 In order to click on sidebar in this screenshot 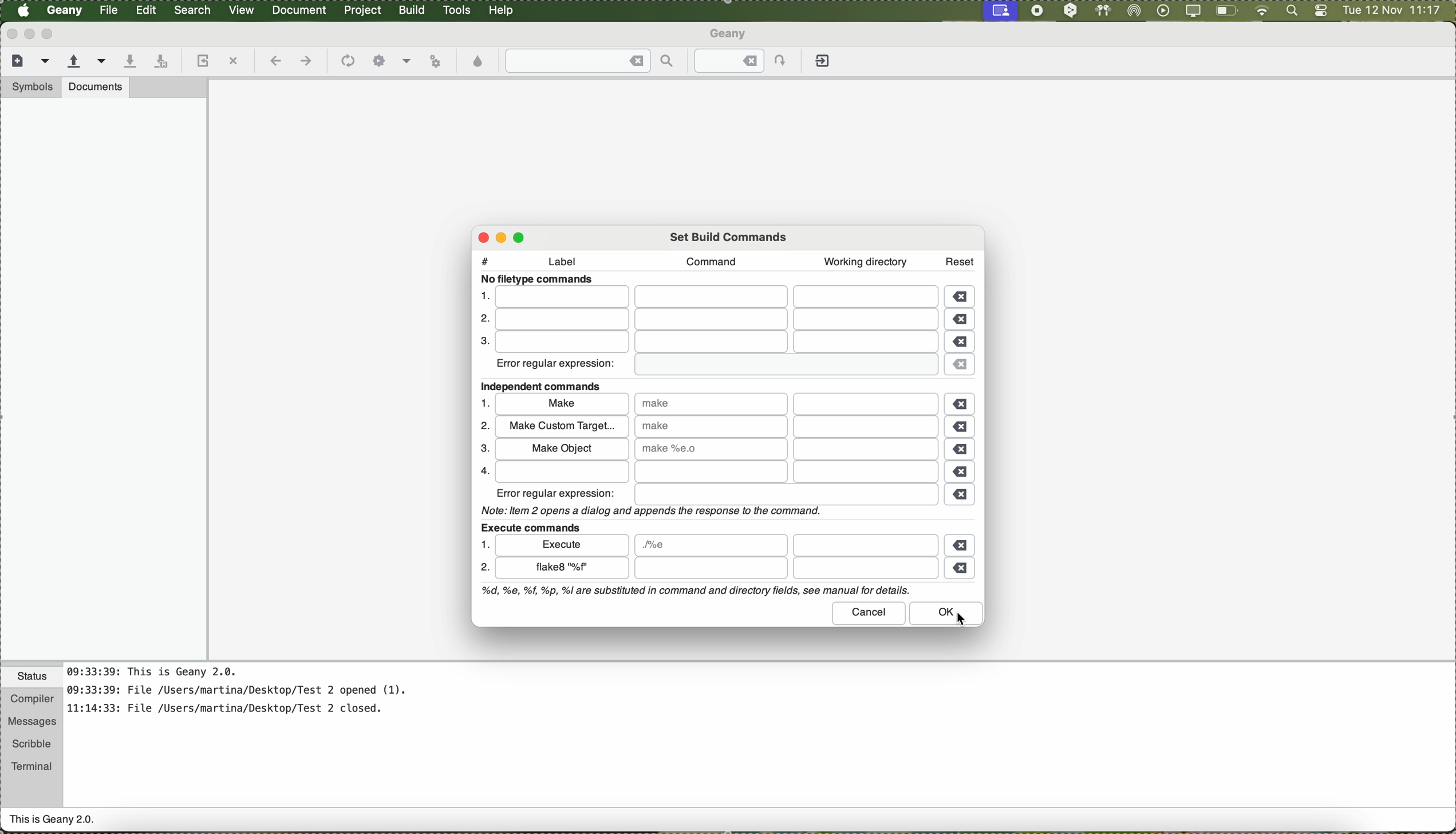, I will do `click(104, 379)`.